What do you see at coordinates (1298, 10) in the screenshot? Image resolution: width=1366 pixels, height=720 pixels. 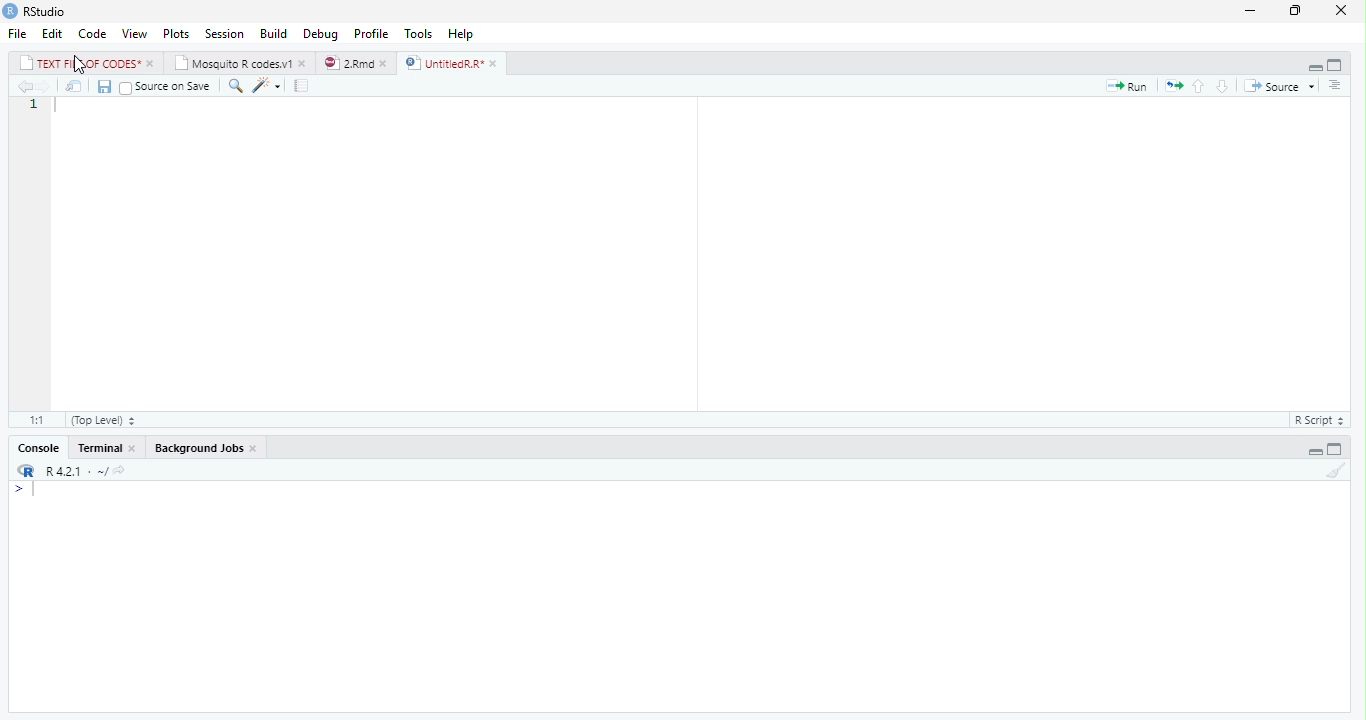 I see `Maximize` at bounding box center [1298, 10].